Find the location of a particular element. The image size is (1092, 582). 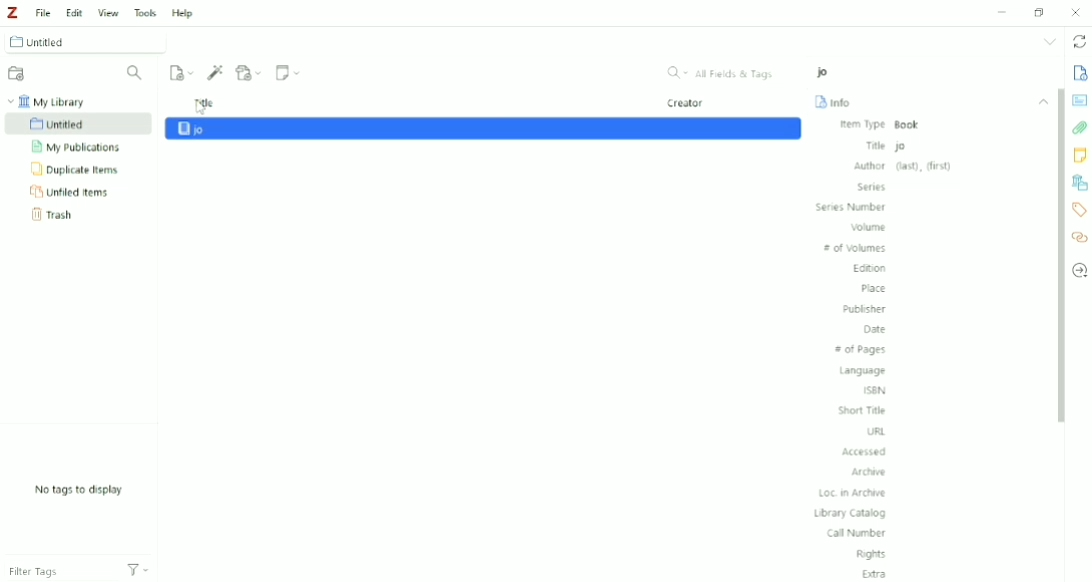

Library Catalog is located at coordinates (850, 513).